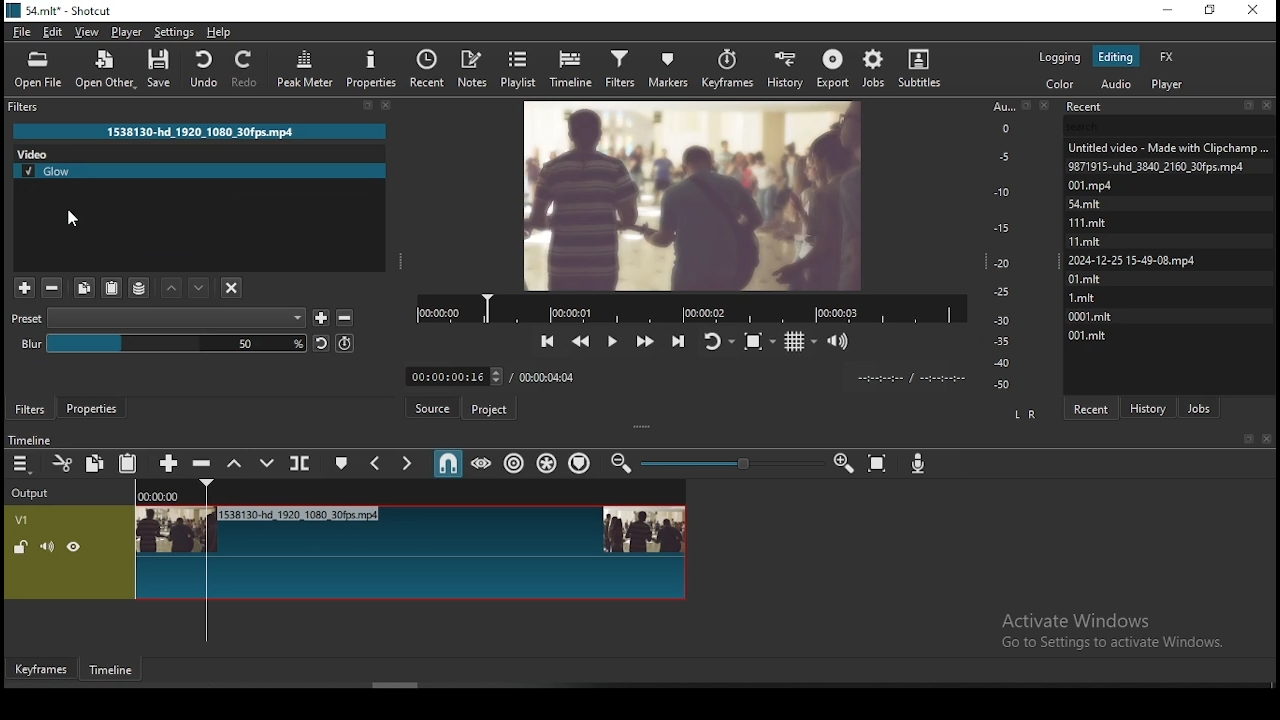  I want to click on create/edit marker, so click(339, 466).